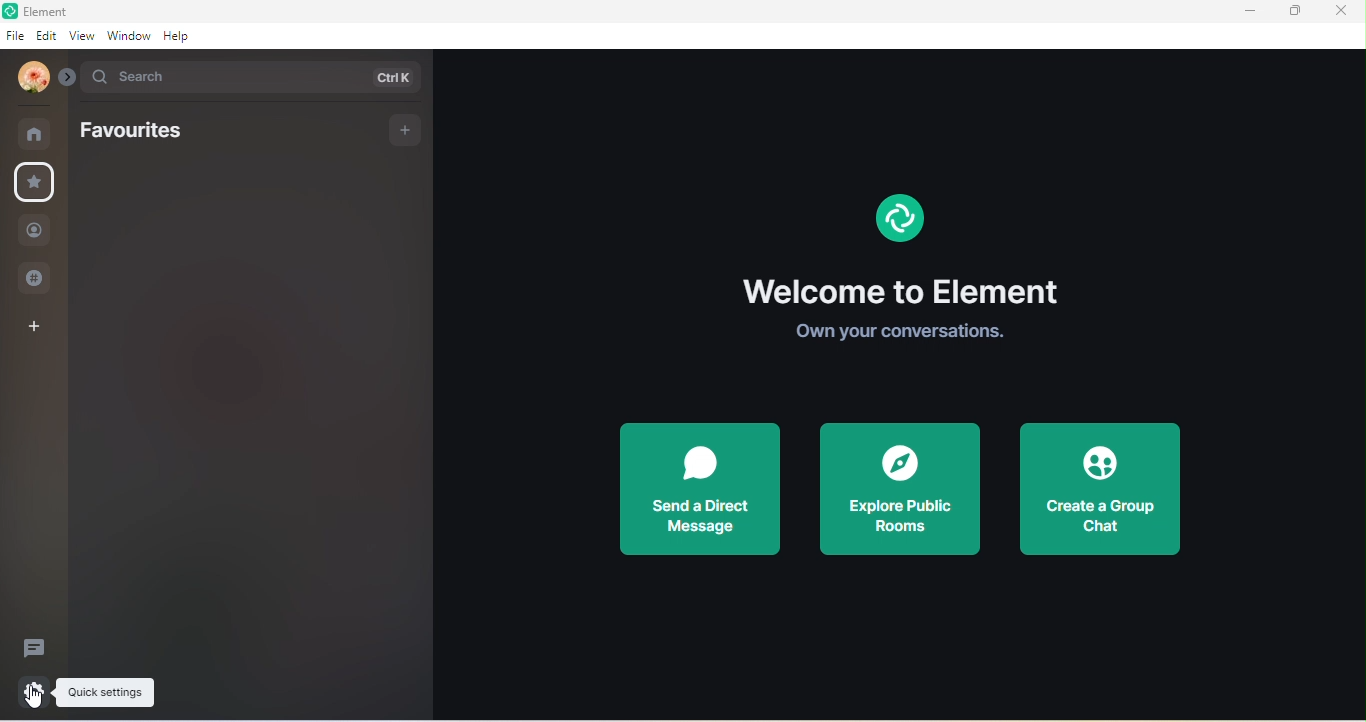 The width and height of the screenshot is (1366, 722). Describe the element at coordinates (180, 34) in the screenshot. I see `help` at that location.